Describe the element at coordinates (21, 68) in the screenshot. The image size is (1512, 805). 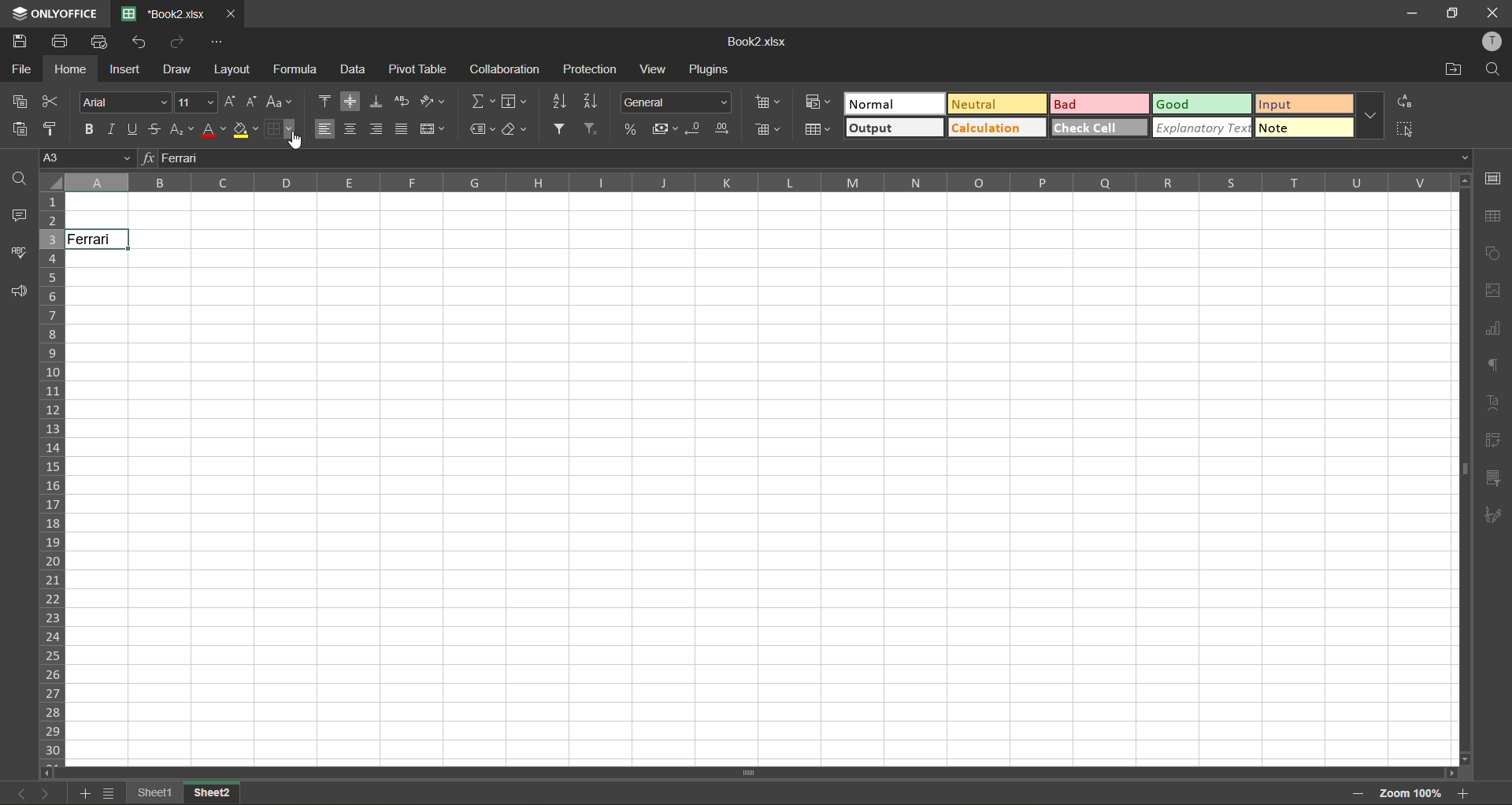
I see `file` at that location.